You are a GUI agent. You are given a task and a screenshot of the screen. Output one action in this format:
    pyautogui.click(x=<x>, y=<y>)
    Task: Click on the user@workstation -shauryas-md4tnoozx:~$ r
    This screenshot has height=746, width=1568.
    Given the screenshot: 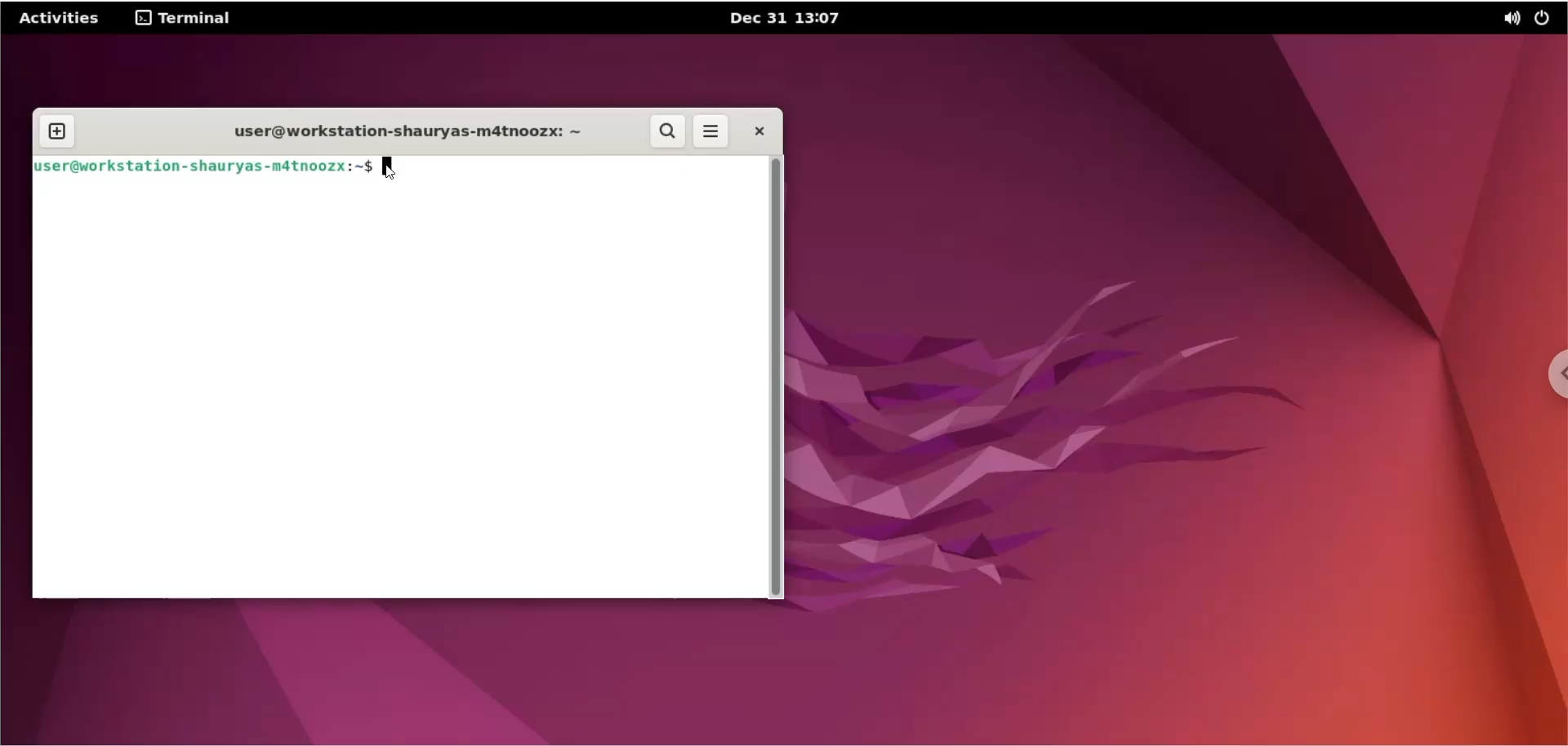 What is the action you would take?
    pyautogui.click(x=205, y=166)
    